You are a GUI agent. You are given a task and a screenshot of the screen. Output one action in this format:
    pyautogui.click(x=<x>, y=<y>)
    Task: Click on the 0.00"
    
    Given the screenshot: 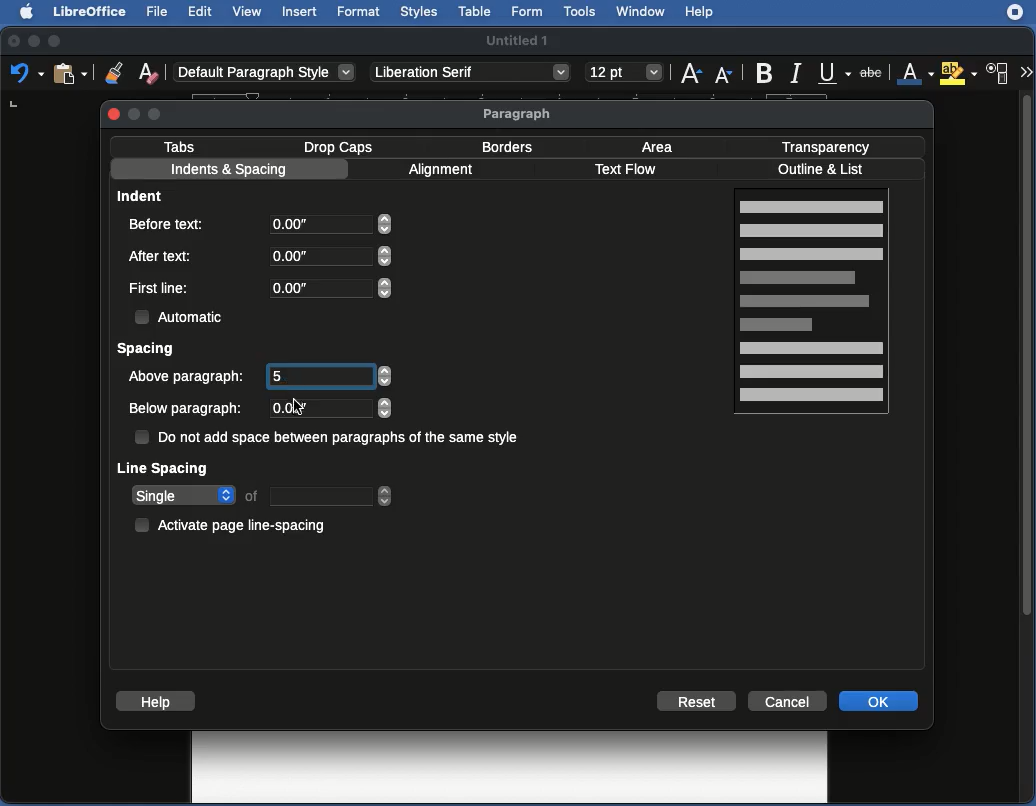 What is the action you would take?
    pyautogui.click(x=332, y=228)
    